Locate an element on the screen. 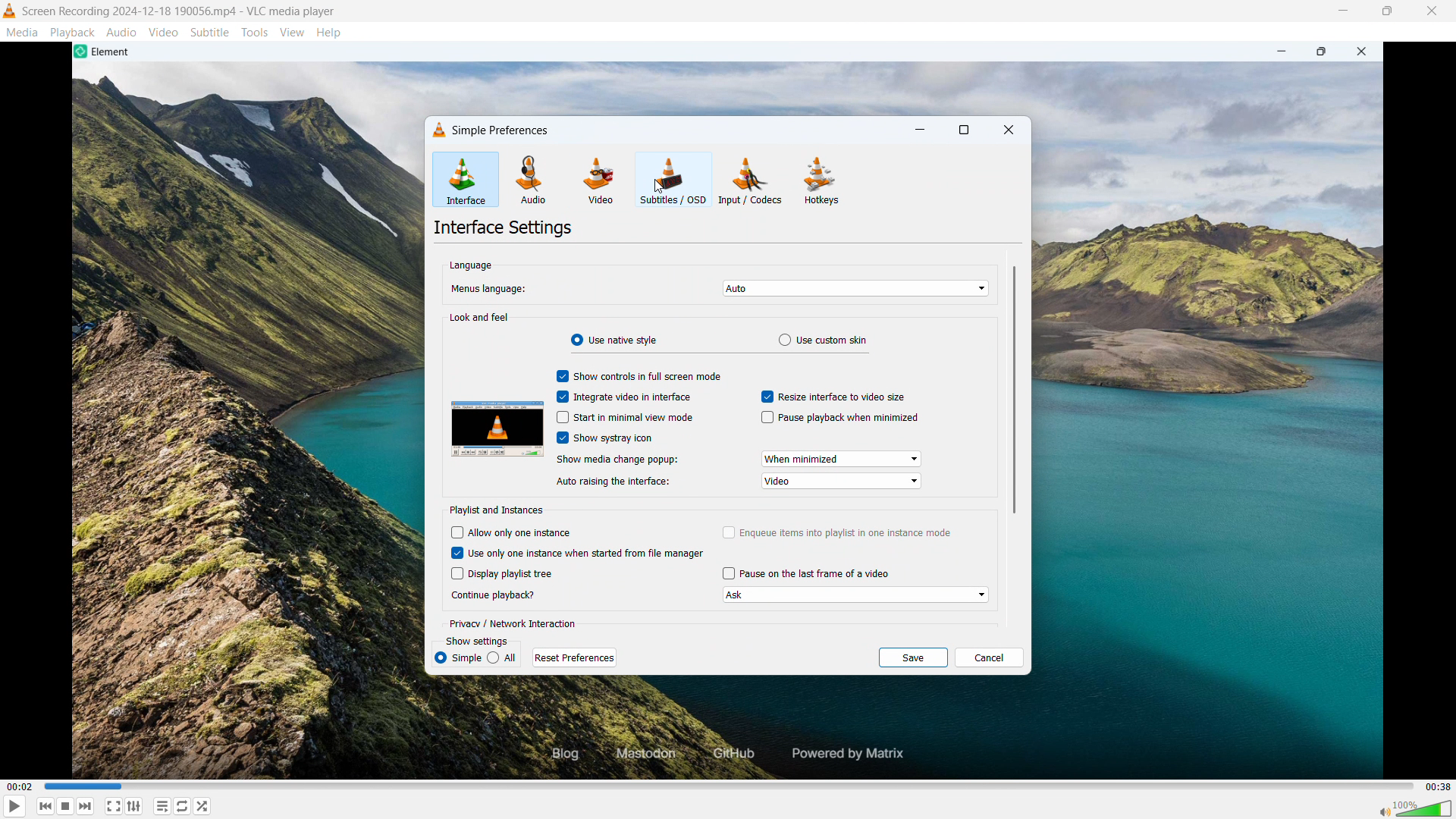  simple  is located at coordinates (457, 658).